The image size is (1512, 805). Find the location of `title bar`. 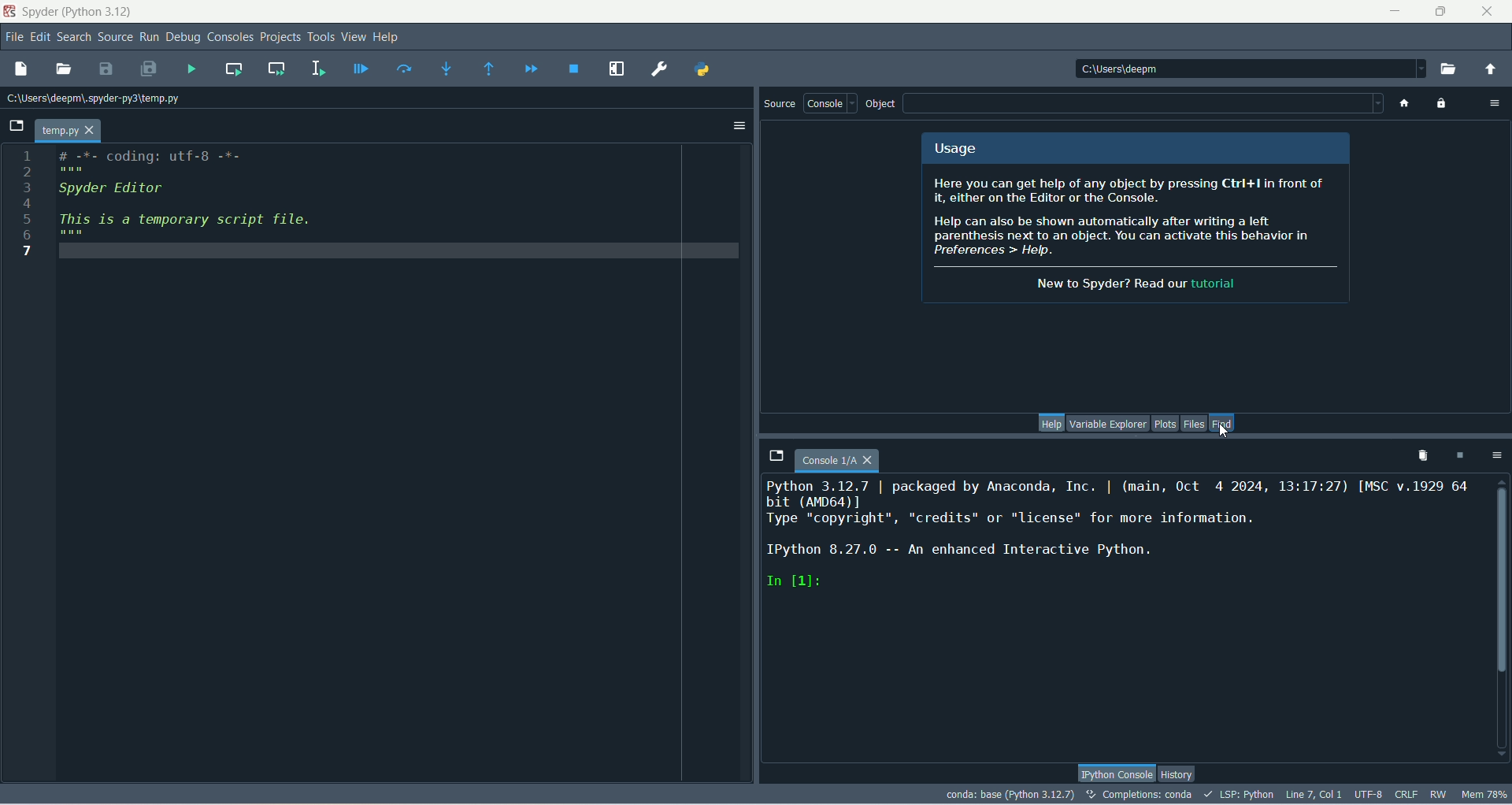

title bar is located at coordinates (77, 10).